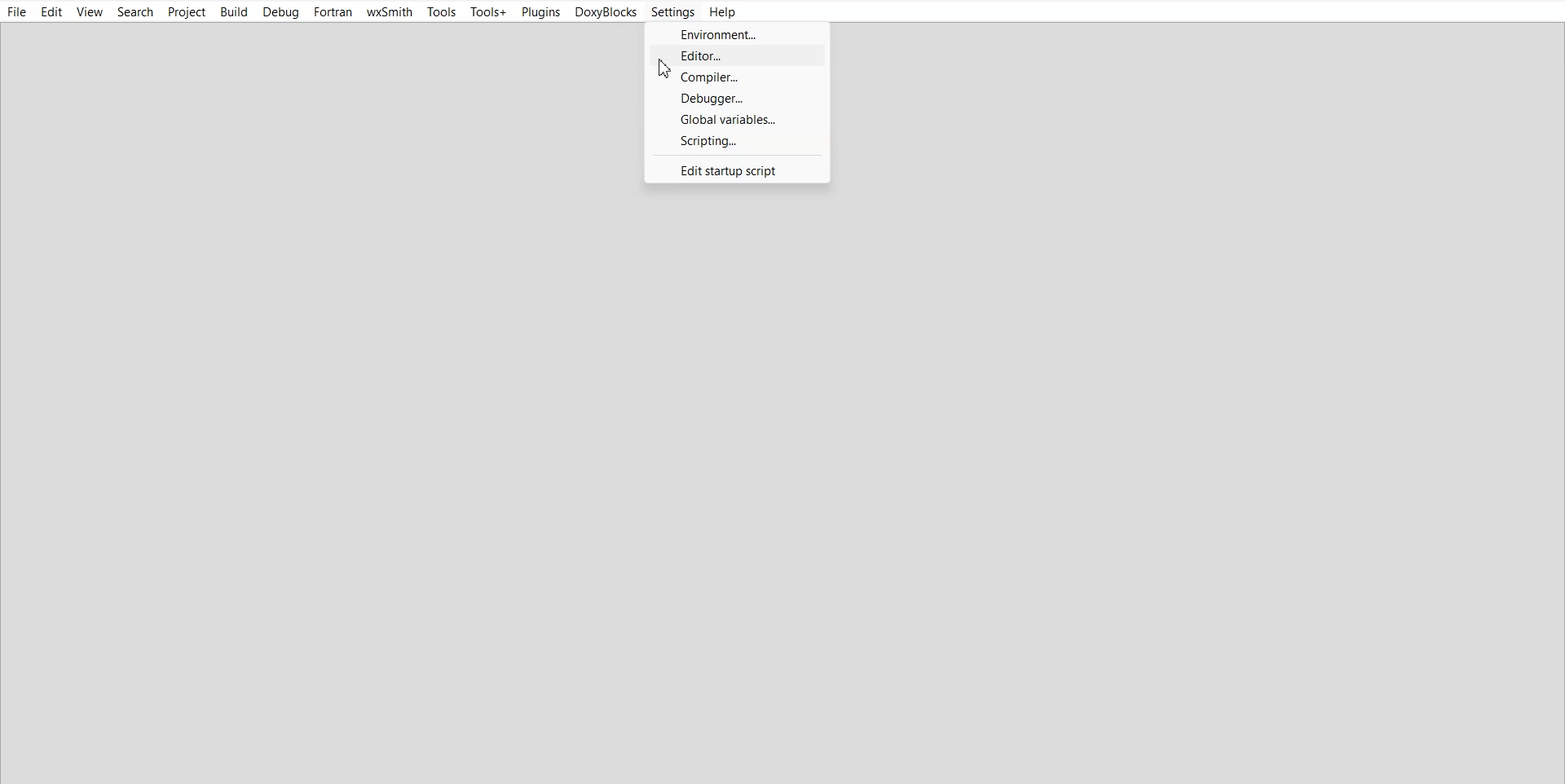 This screenshot has height=784, width=1565. Describe the element at coordinates (737, 77) in the screenshot. I see `Compiler` at that location.